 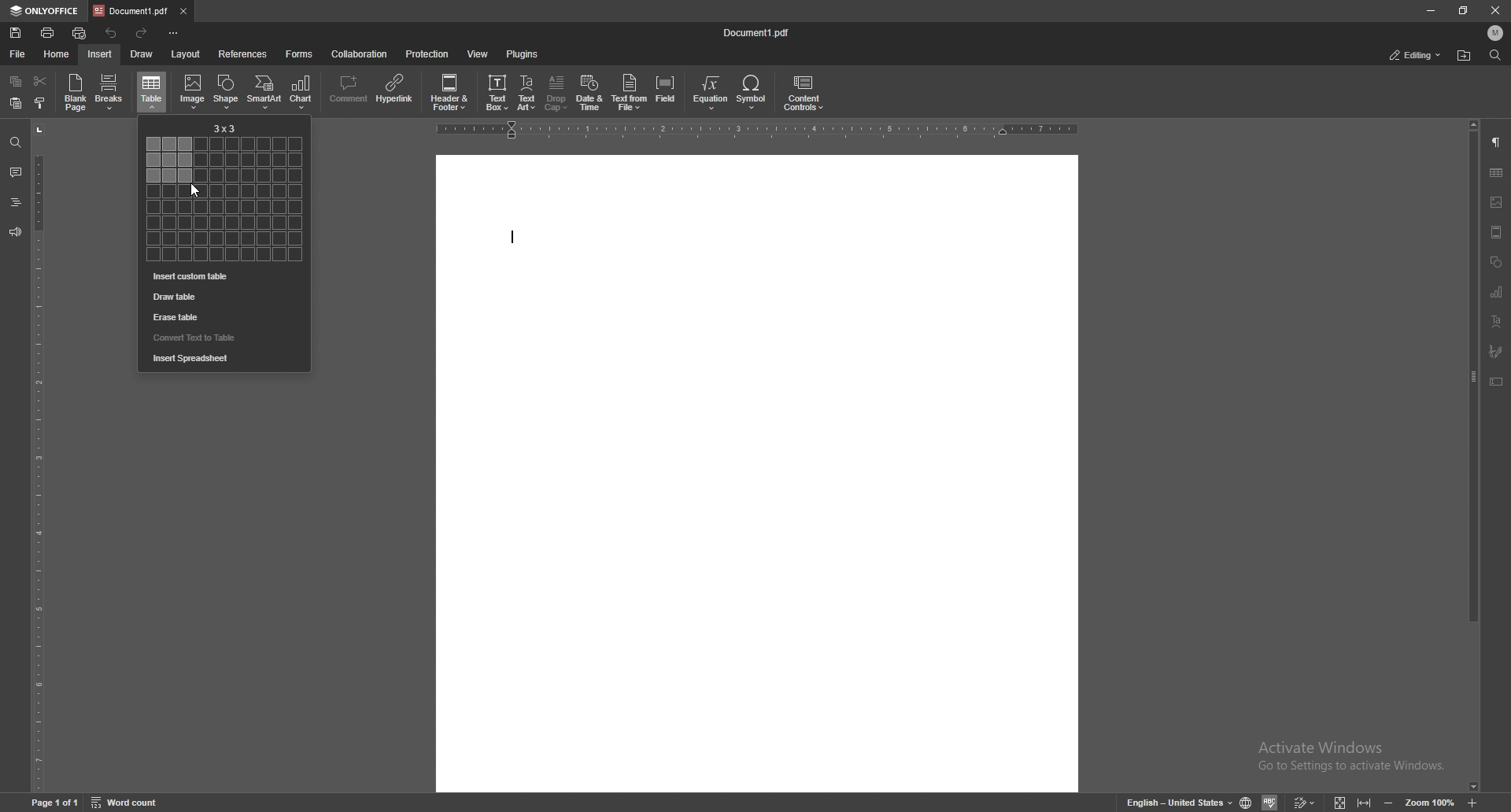 What do you see at coordinates (299, 54) in the screenshot?
I see `forms` at bounding box center [299, 54].